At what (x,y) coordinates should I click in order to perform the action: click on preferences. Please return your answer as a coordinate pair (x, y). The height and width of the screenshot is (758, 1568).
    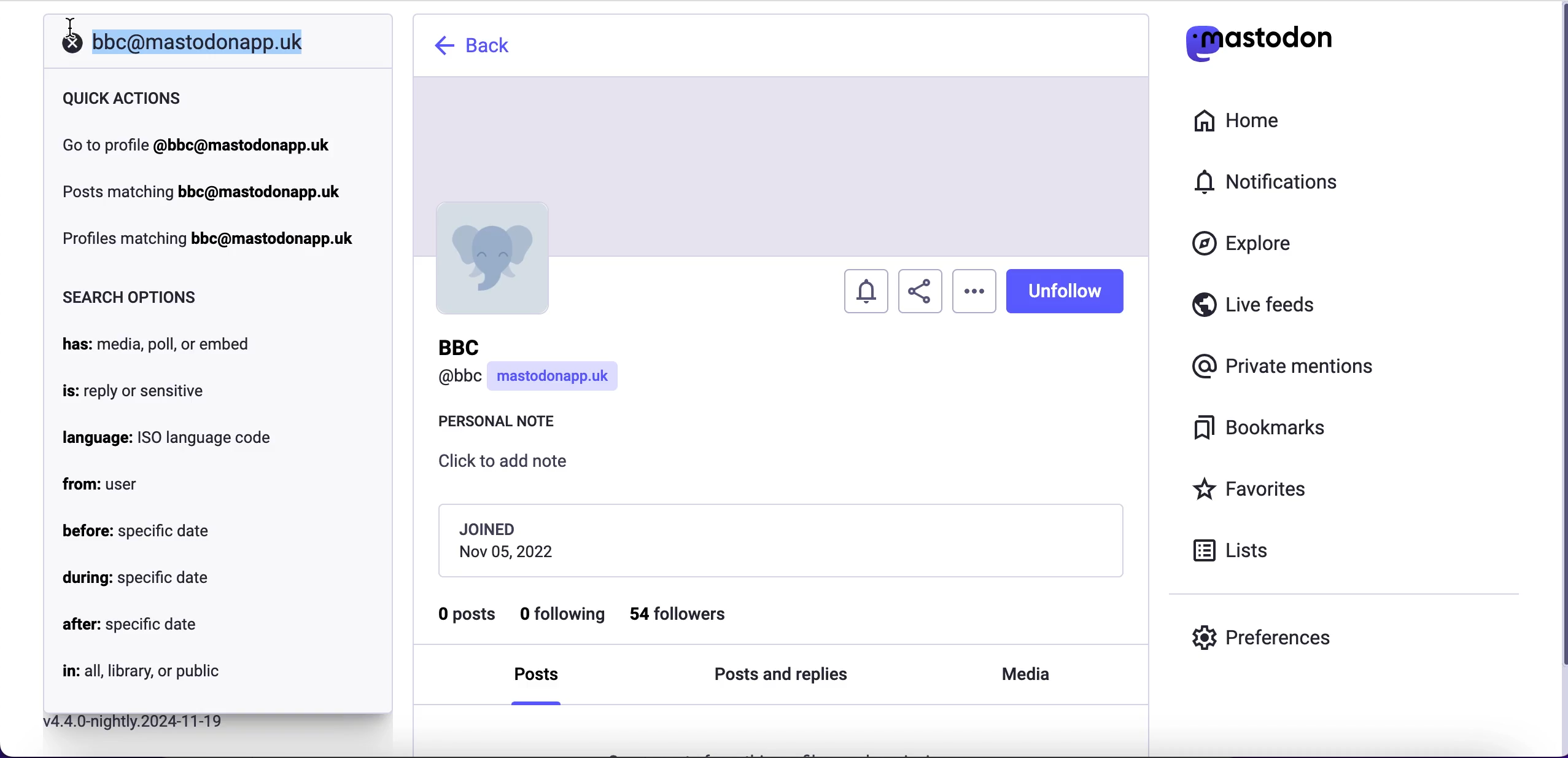
    Looking at the image, I should click on (1262, 637).